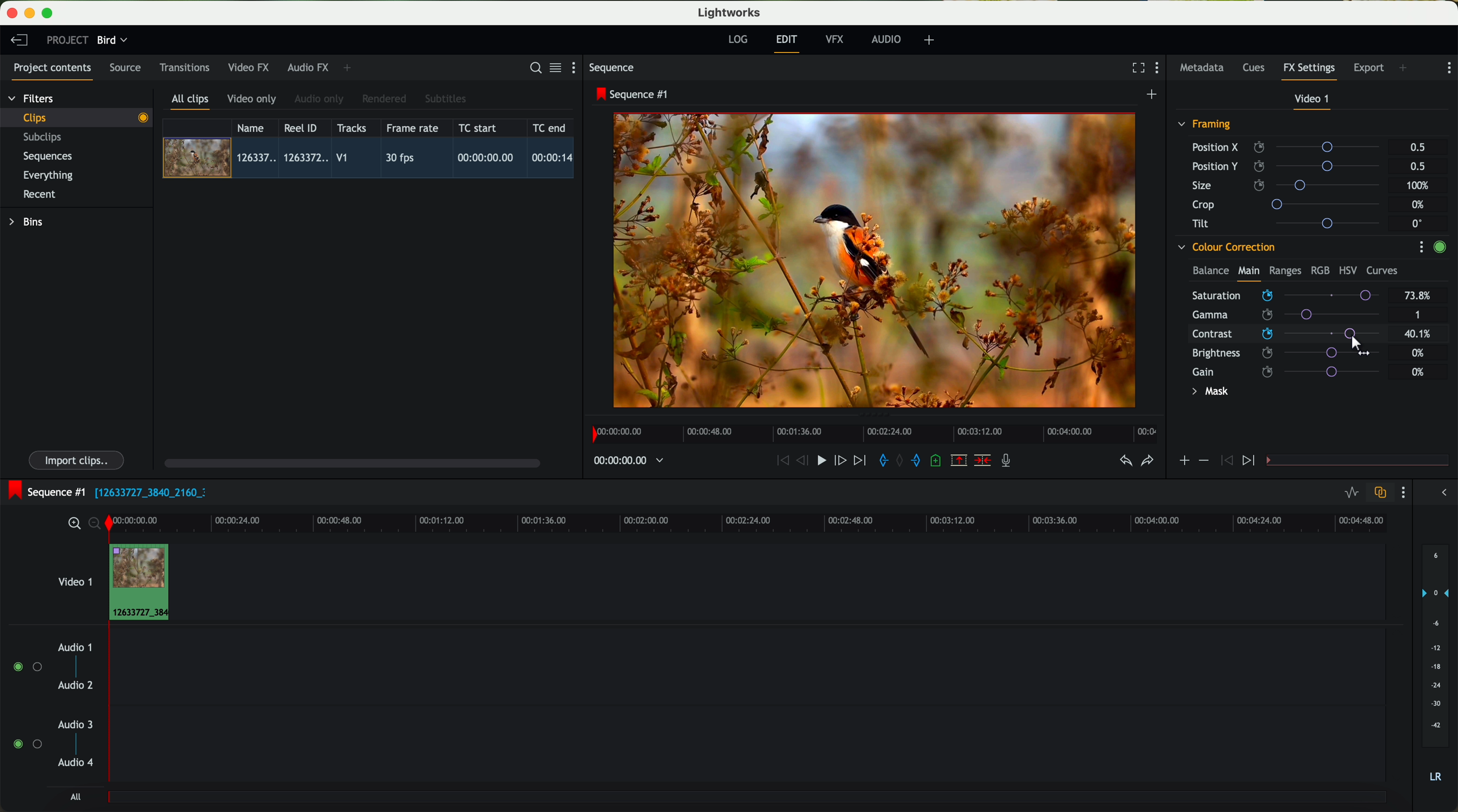  I want to click on show settings menu, so click(578, 67).